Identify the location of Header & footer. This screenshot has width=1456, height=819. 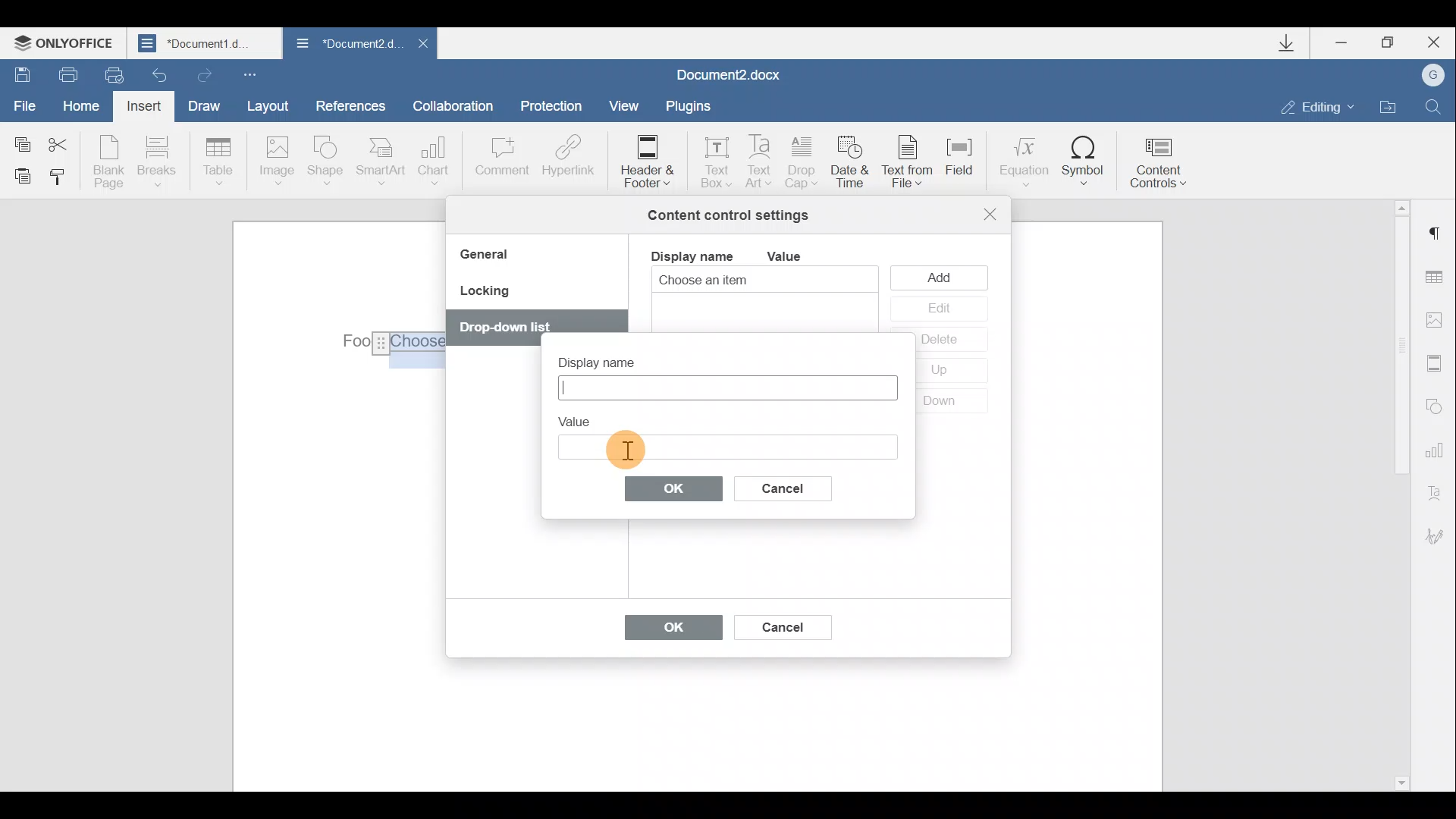
(646, 160).